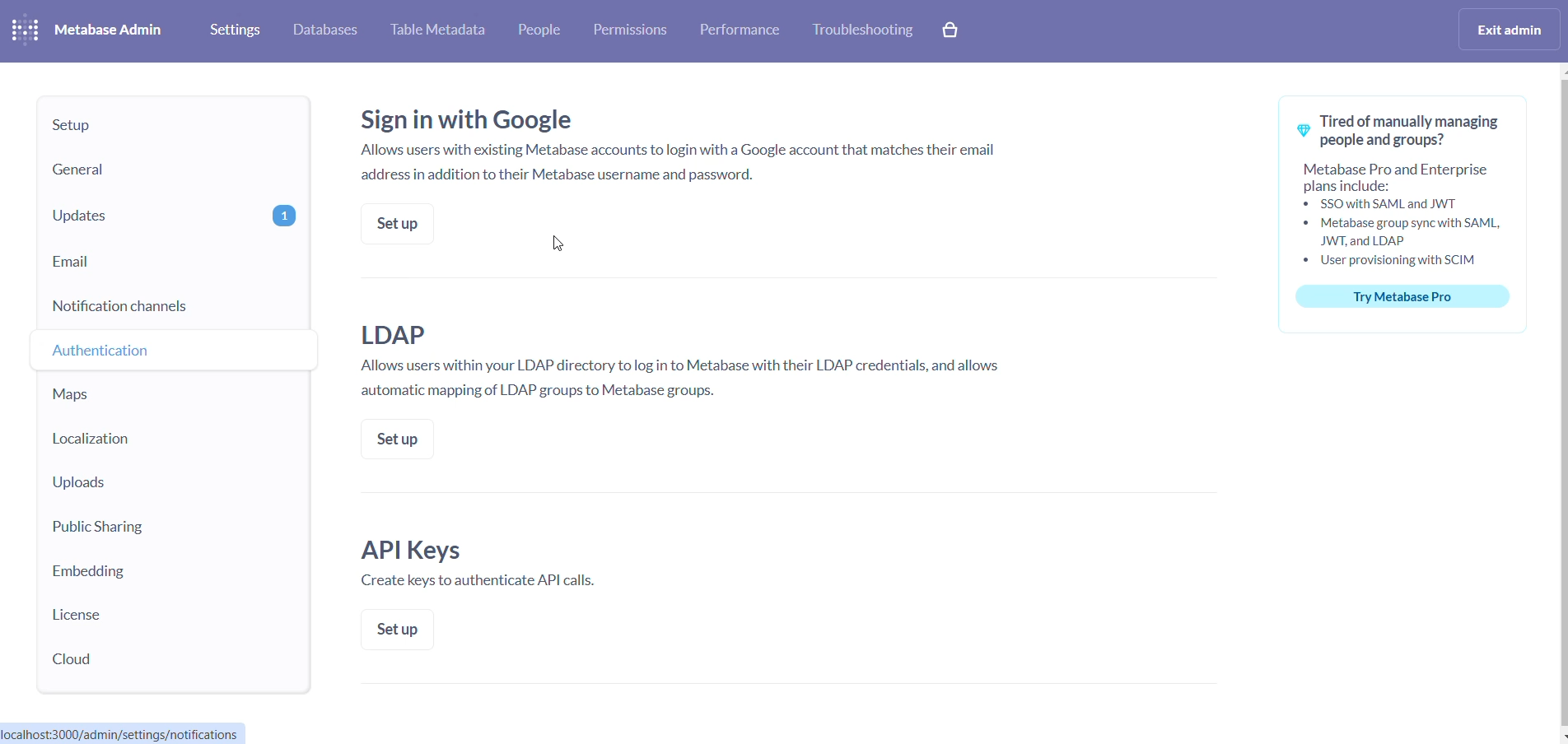  I want to click on EXIT ADMIN, so click(1509, 30).